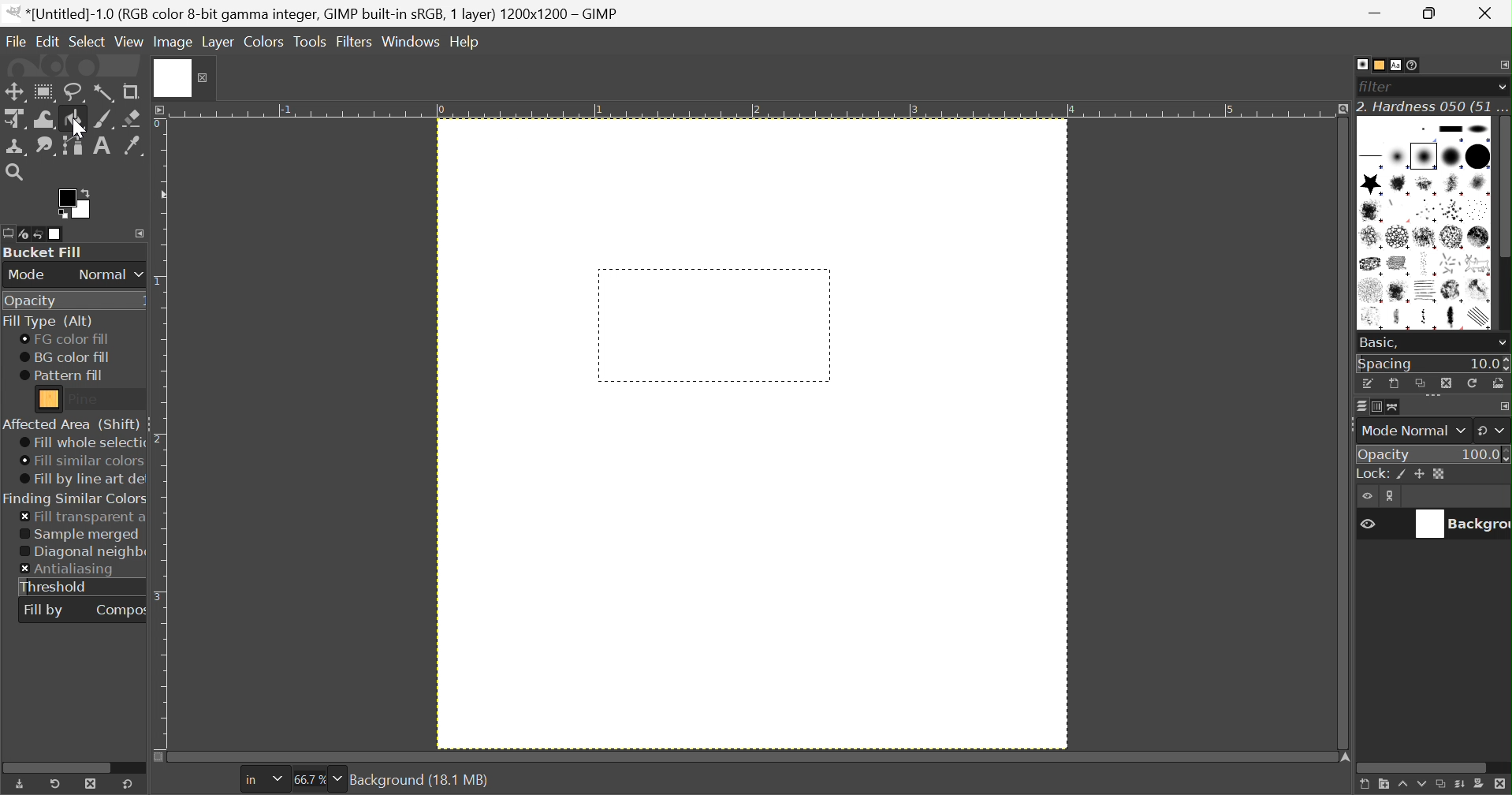 The height and width of the screenshot is (795, 1512). What do you see at coordinates (1370, 264) in the screenshot?
I see `Charcoal` at bounding box center [1370, 264].